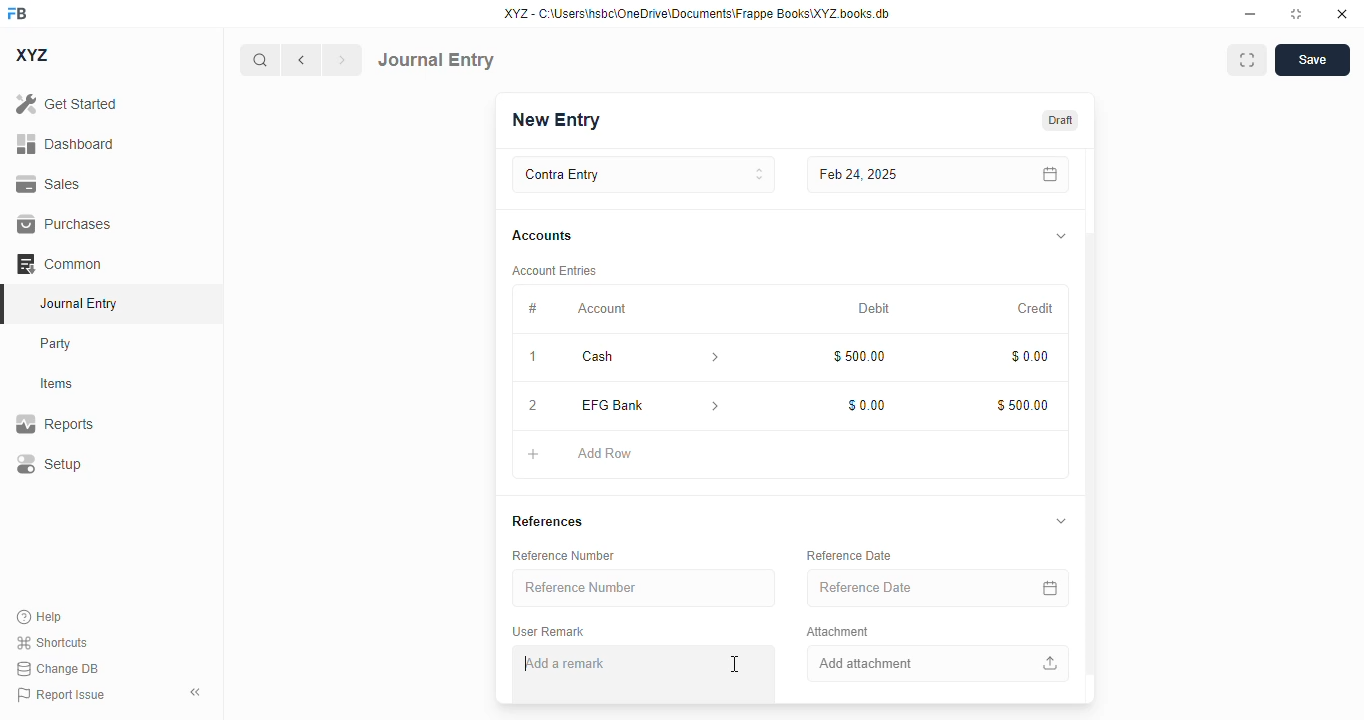  Describe the element at coordinates (533, 406) in the screenshot. I see `2` at that location.